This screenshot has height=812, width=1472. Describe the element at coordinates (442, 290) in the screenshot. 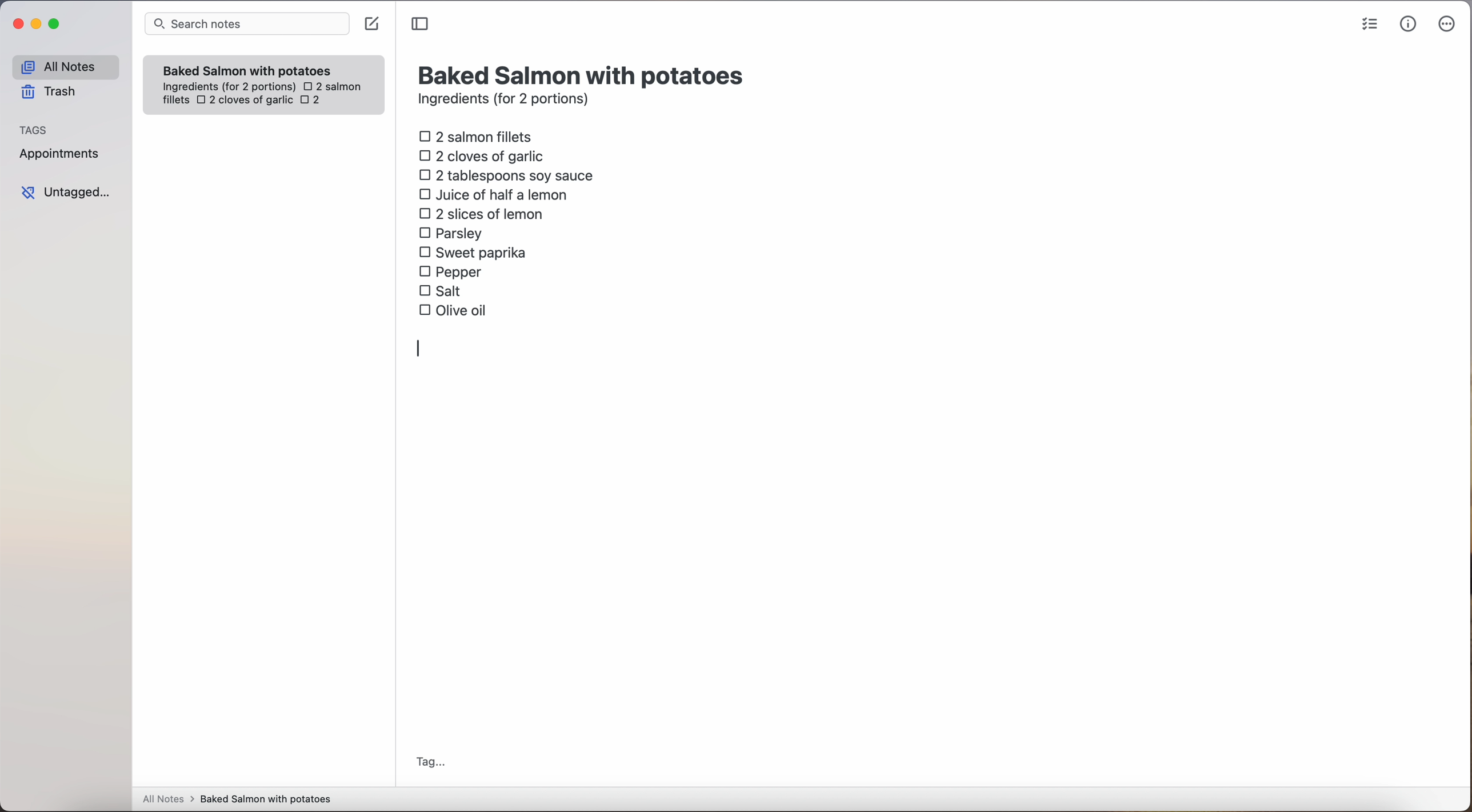

I see `salt` at that location.